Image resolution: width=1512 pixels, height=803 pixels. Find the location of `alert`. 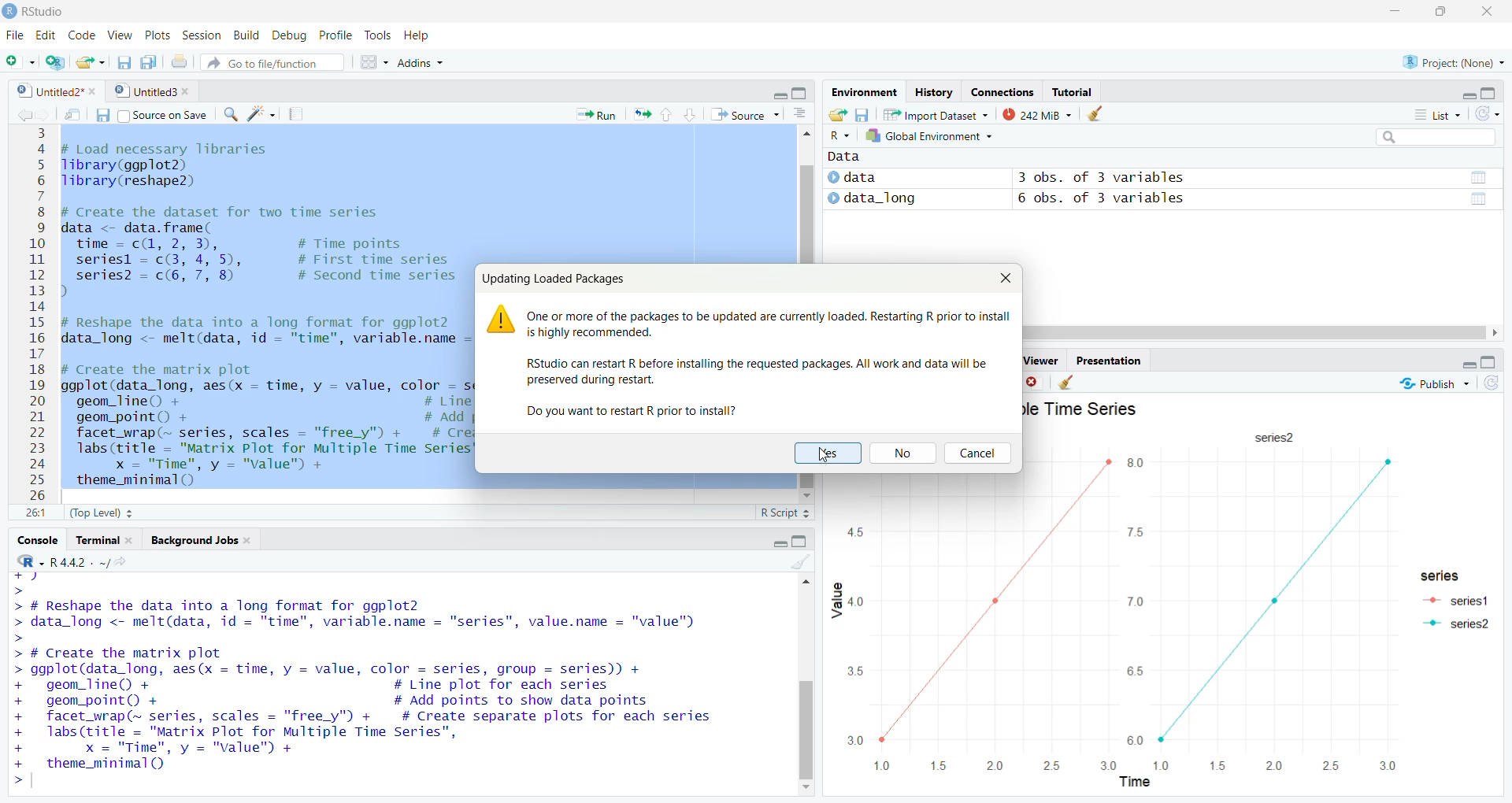

alert is located at coordinates (501, 320).